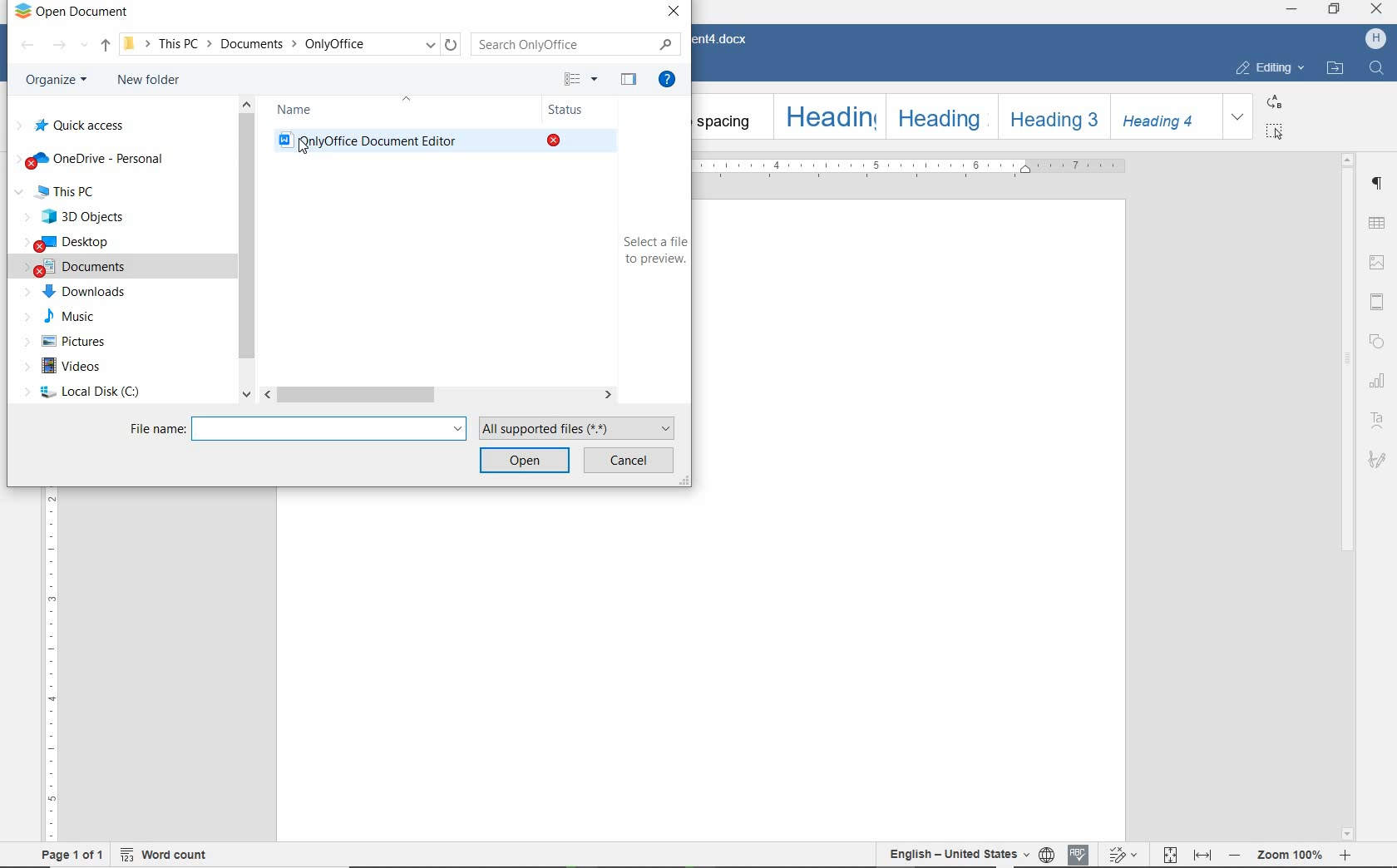 The image size is (1397, 868). Describe the element at coordinates (1271, 67) in the screenshot. I see `EDITING` at that location.